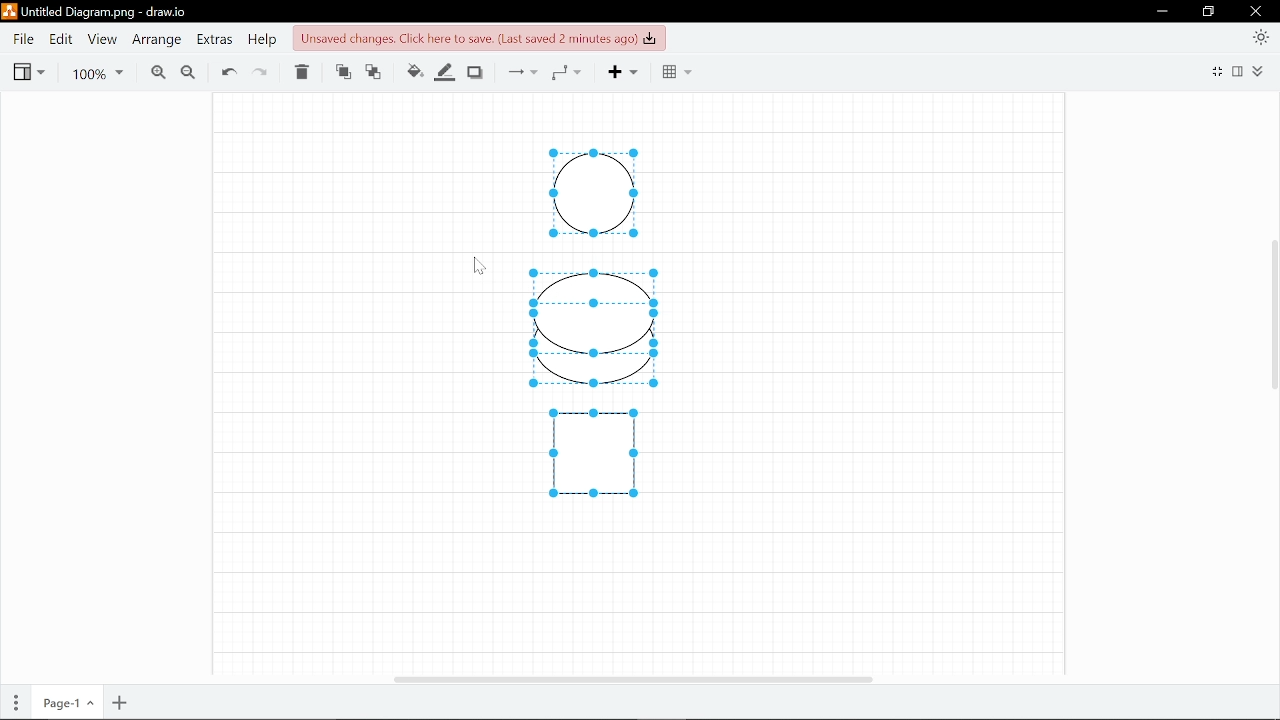 This screenshot has width=1280, height=720. I want to click on Fill color, so click(414, 71).